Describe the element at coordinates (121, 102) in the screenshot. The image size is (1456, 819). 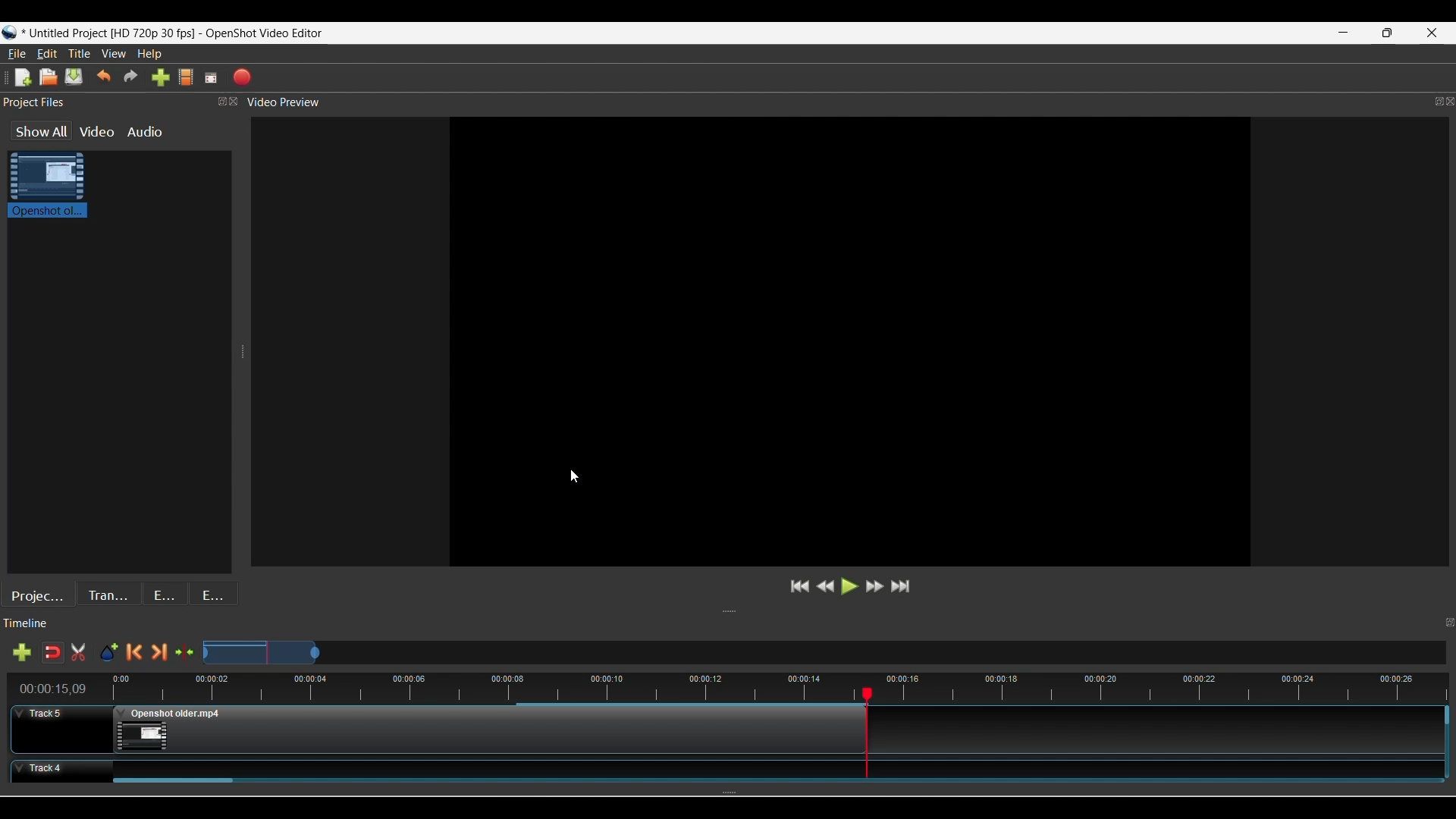
I see `Project Files Panel` at that location.